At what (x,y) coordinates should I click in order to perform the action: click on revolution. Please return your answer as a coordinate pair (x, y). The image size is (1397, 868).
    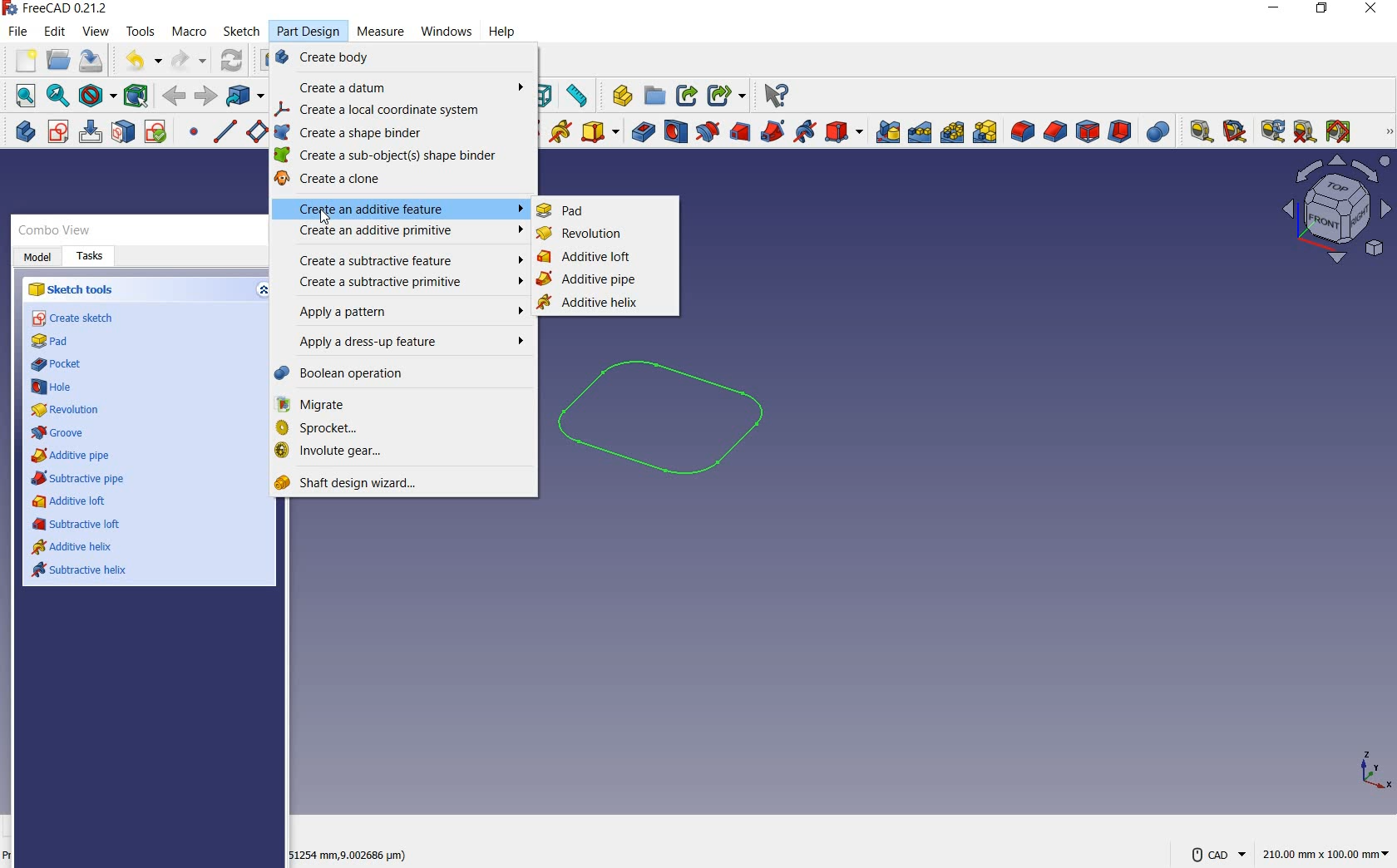
    Looking at the image, I should click on (584, 234).